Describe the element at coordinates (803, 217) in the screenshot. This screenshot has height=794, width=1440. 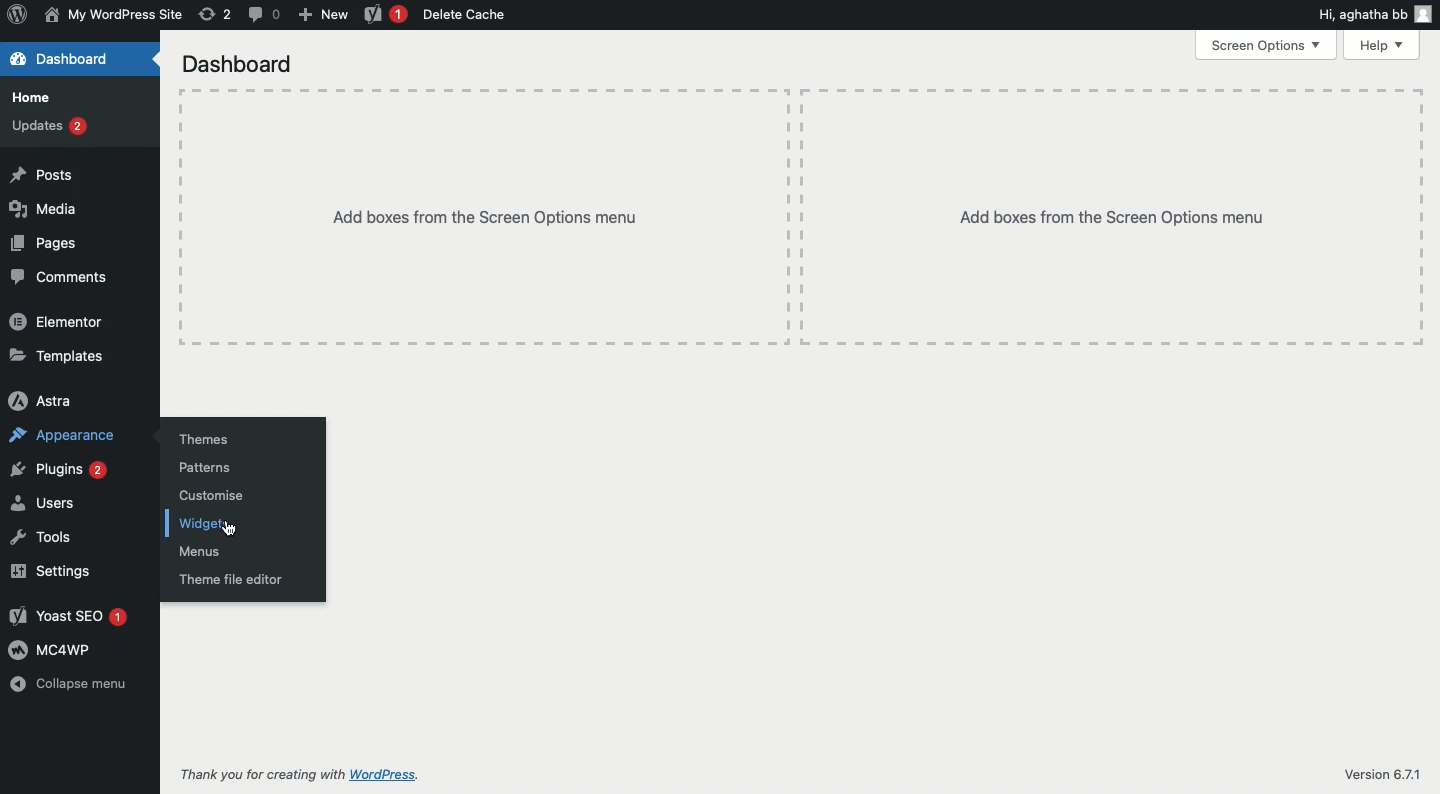
I see `Add boxes from the screen options menu` at that location.